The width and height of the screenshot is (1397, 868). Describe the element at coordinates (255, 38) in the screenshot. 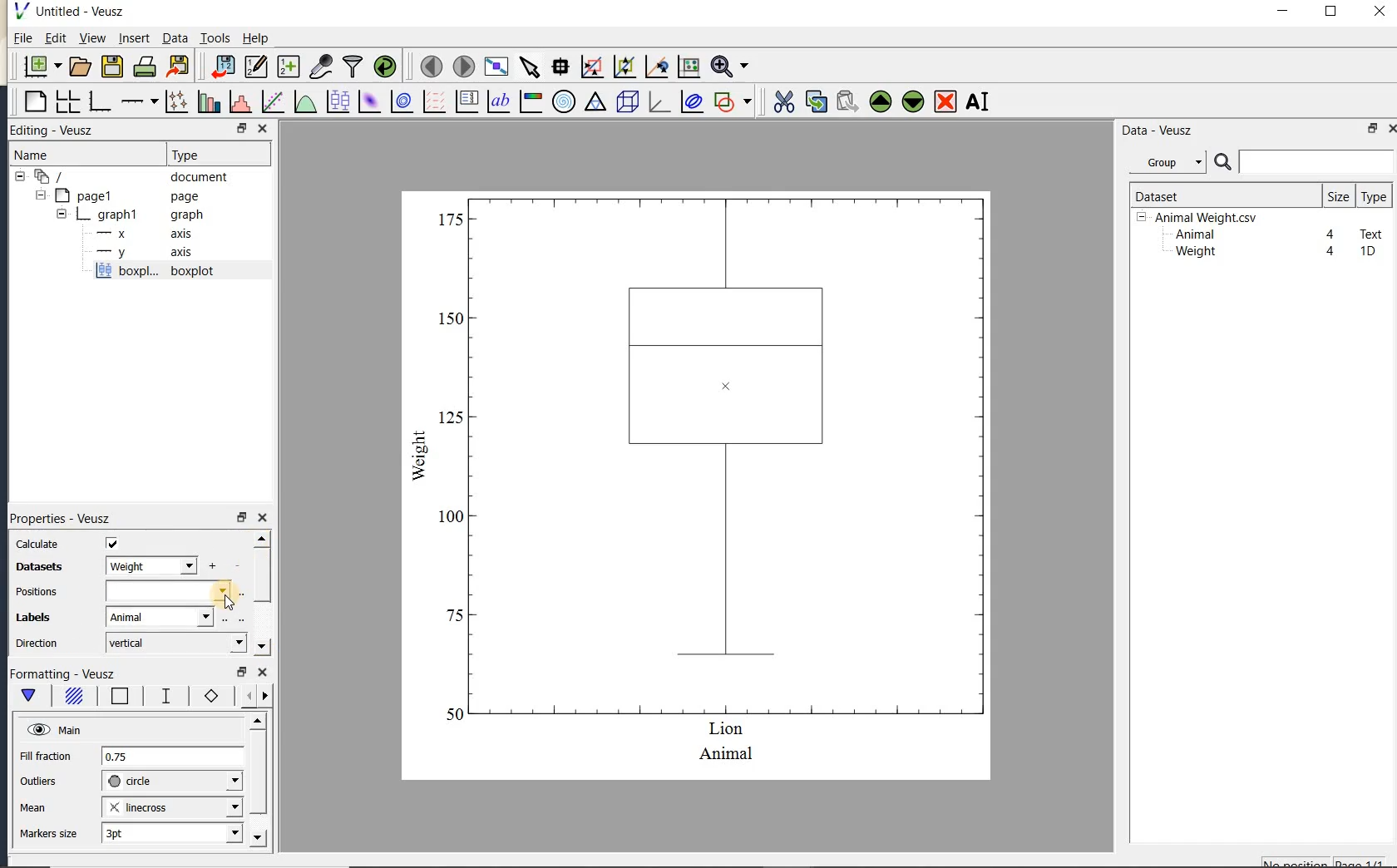

I see `Help` at that location.